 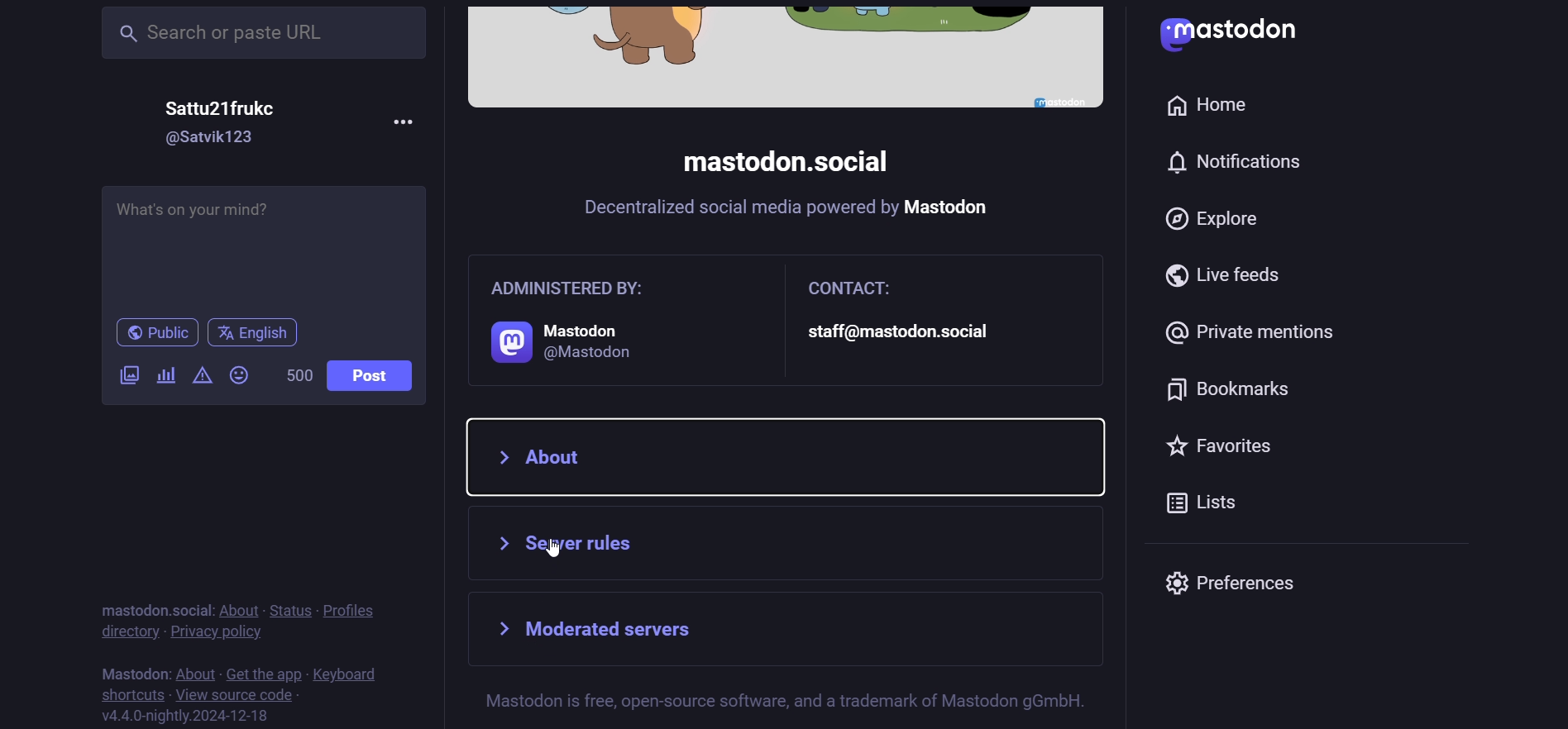 I want to click on about, so click(x=194, y=672).